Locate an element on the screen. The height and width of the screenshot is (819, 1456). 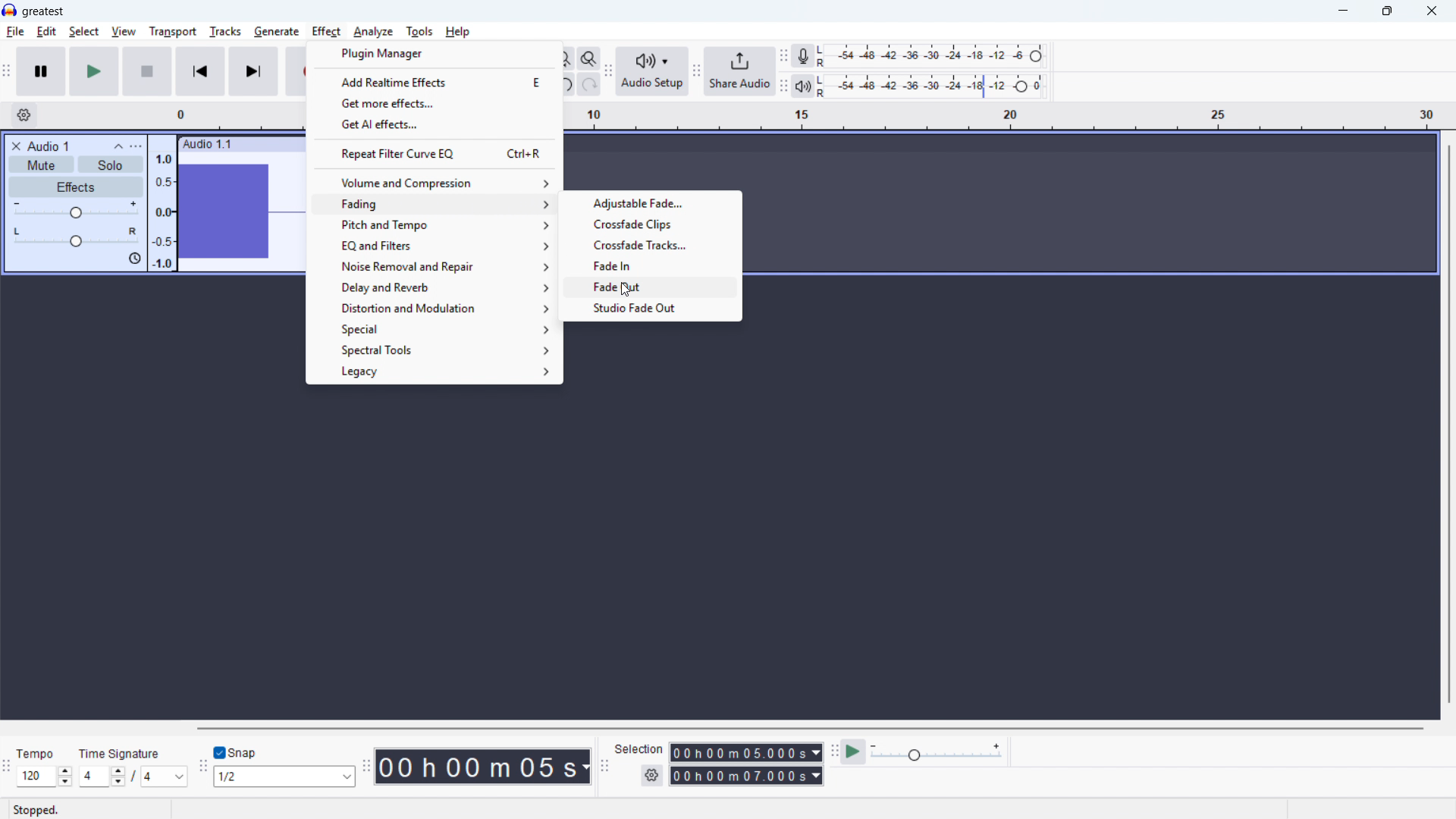
generate is located at coordinates (277, 33).